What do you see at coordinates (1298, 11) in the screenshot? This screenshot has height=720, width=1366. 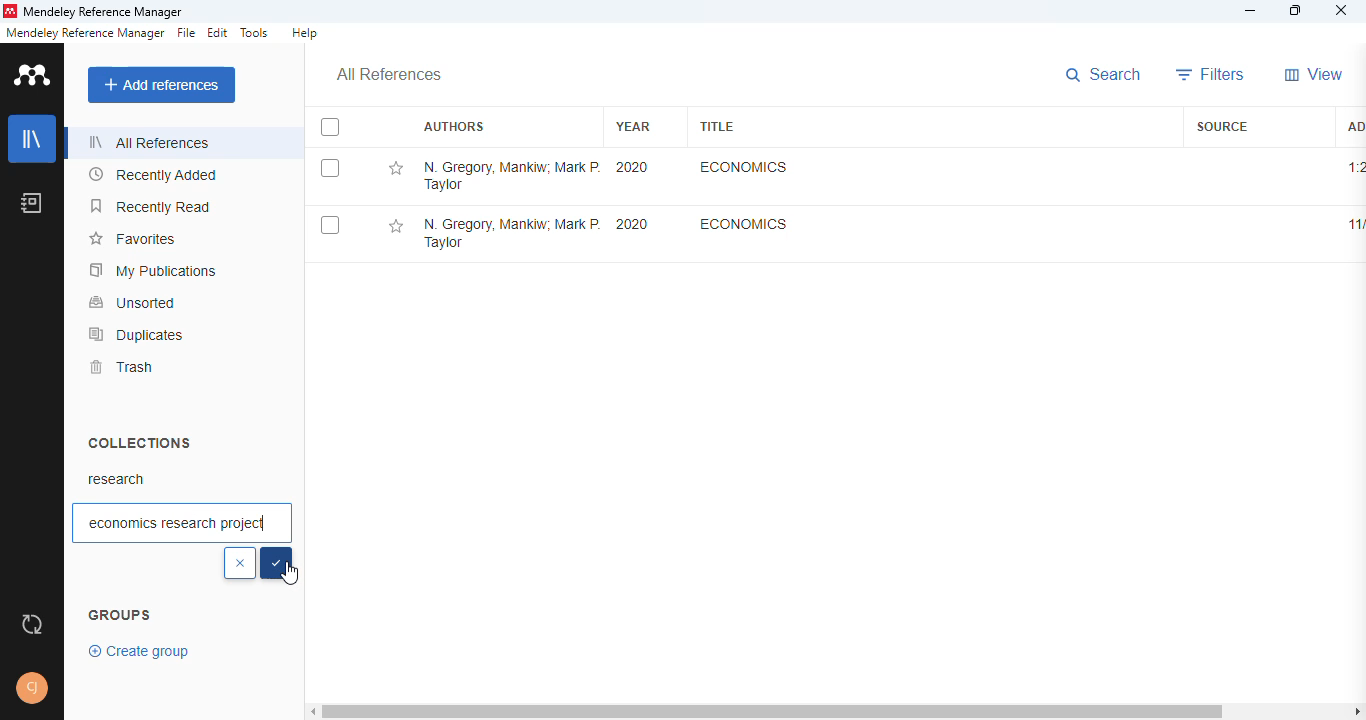 I see `maximize` at bounding box center [1298, 11].